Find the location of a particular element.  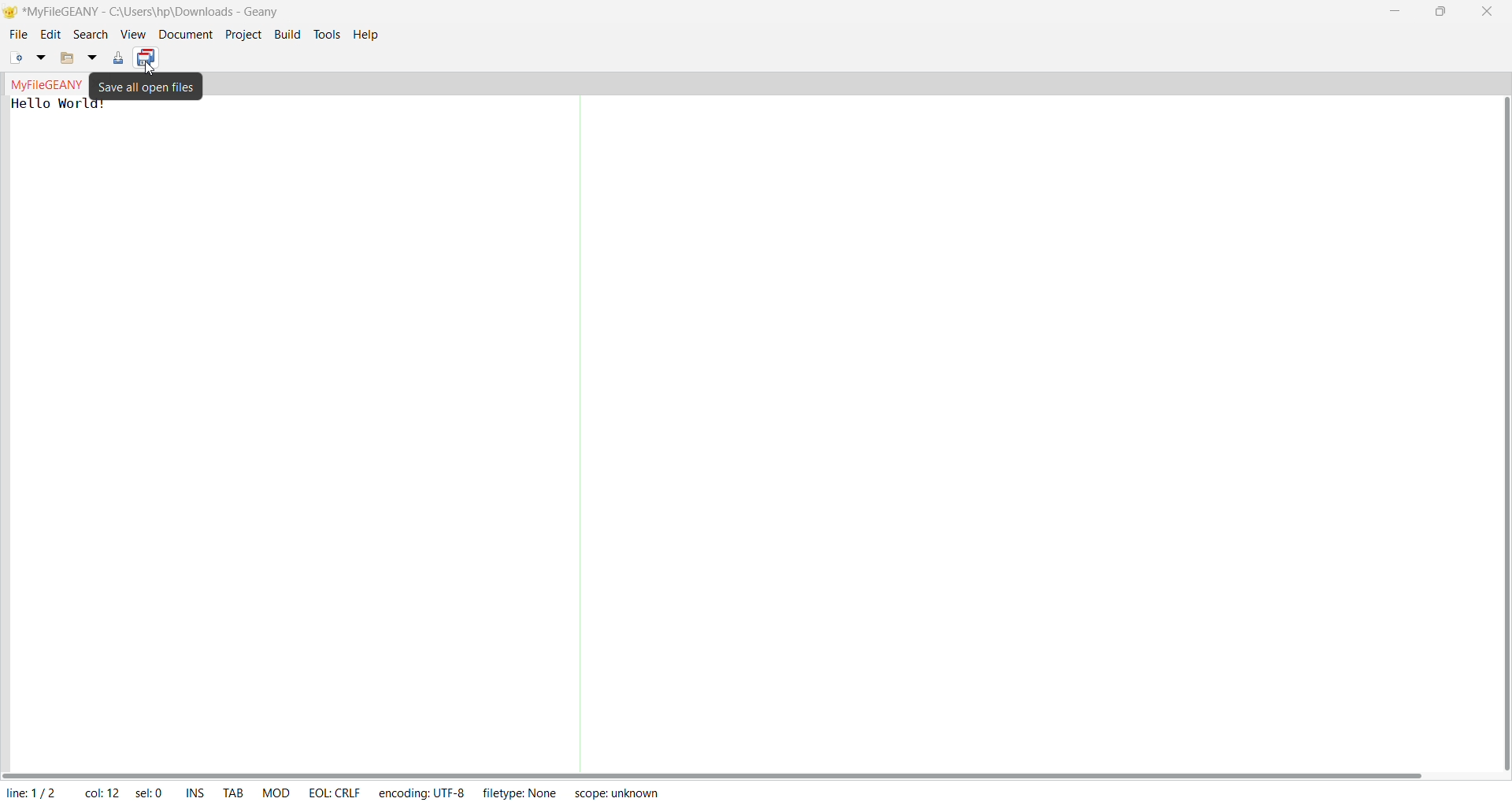

Hello World is located at coordinates (55, 104).